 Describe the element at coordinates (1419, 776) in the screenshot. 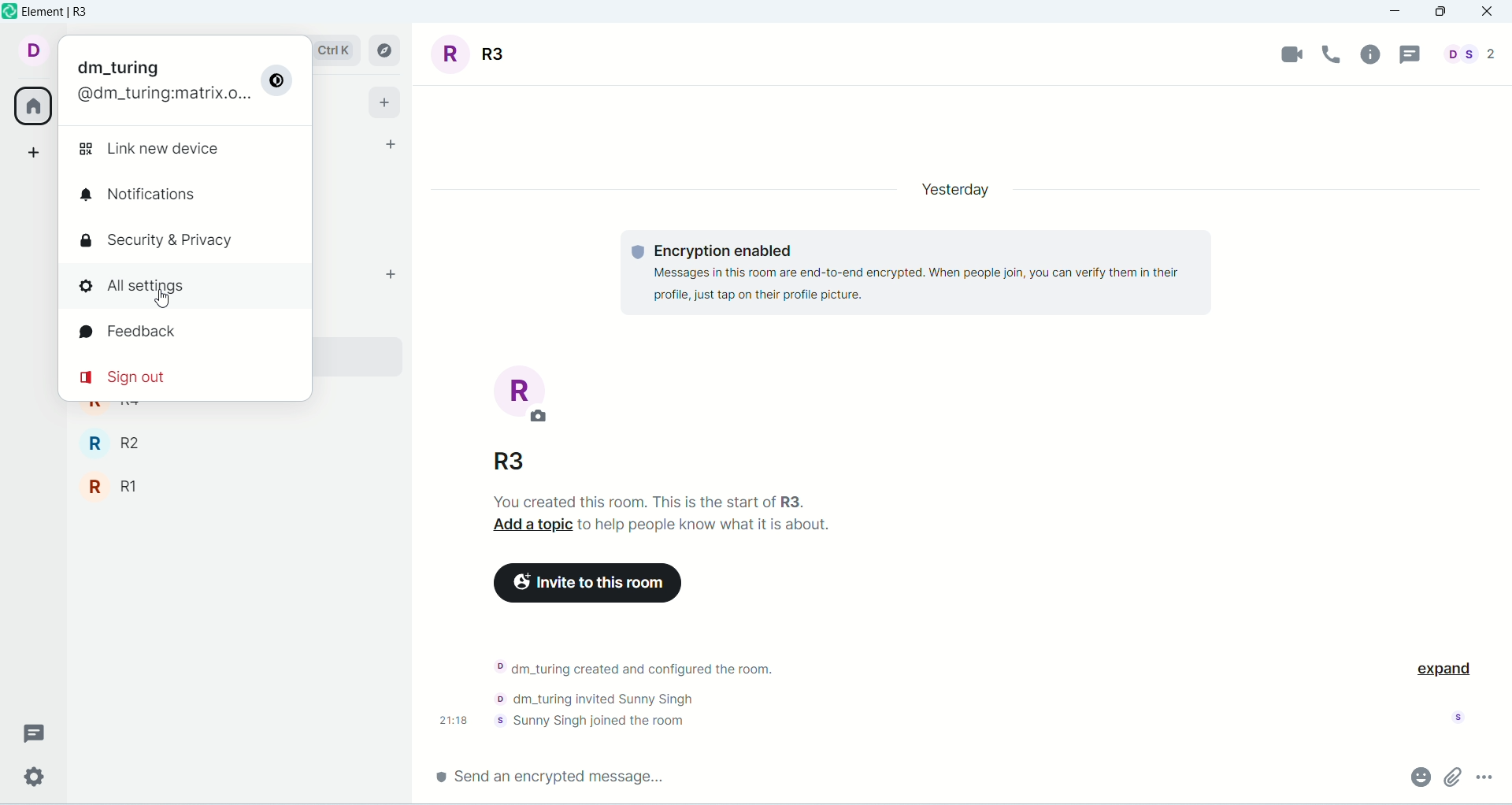

I see `emoji` at that location.